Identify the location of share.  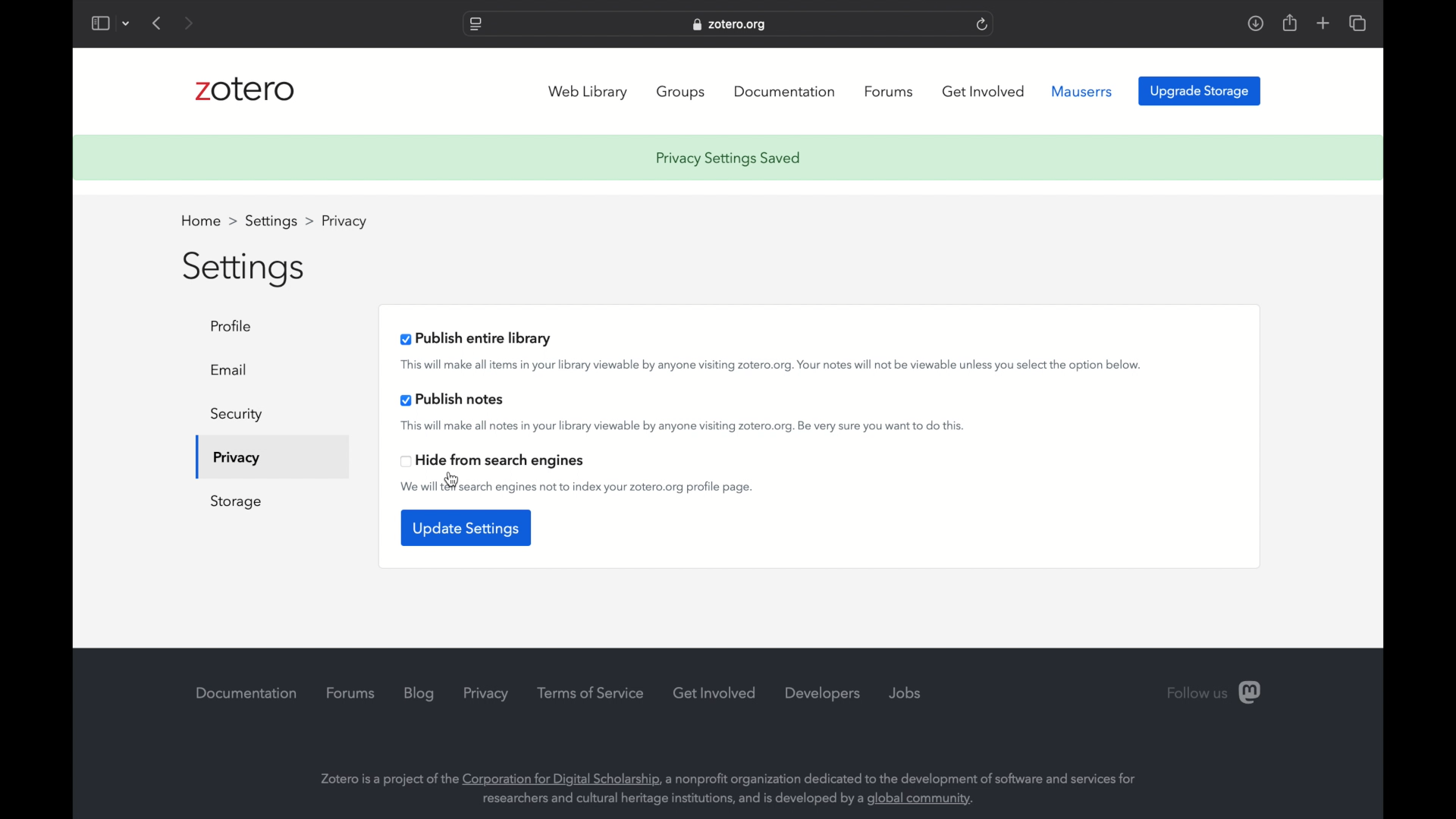
(1288, 23).